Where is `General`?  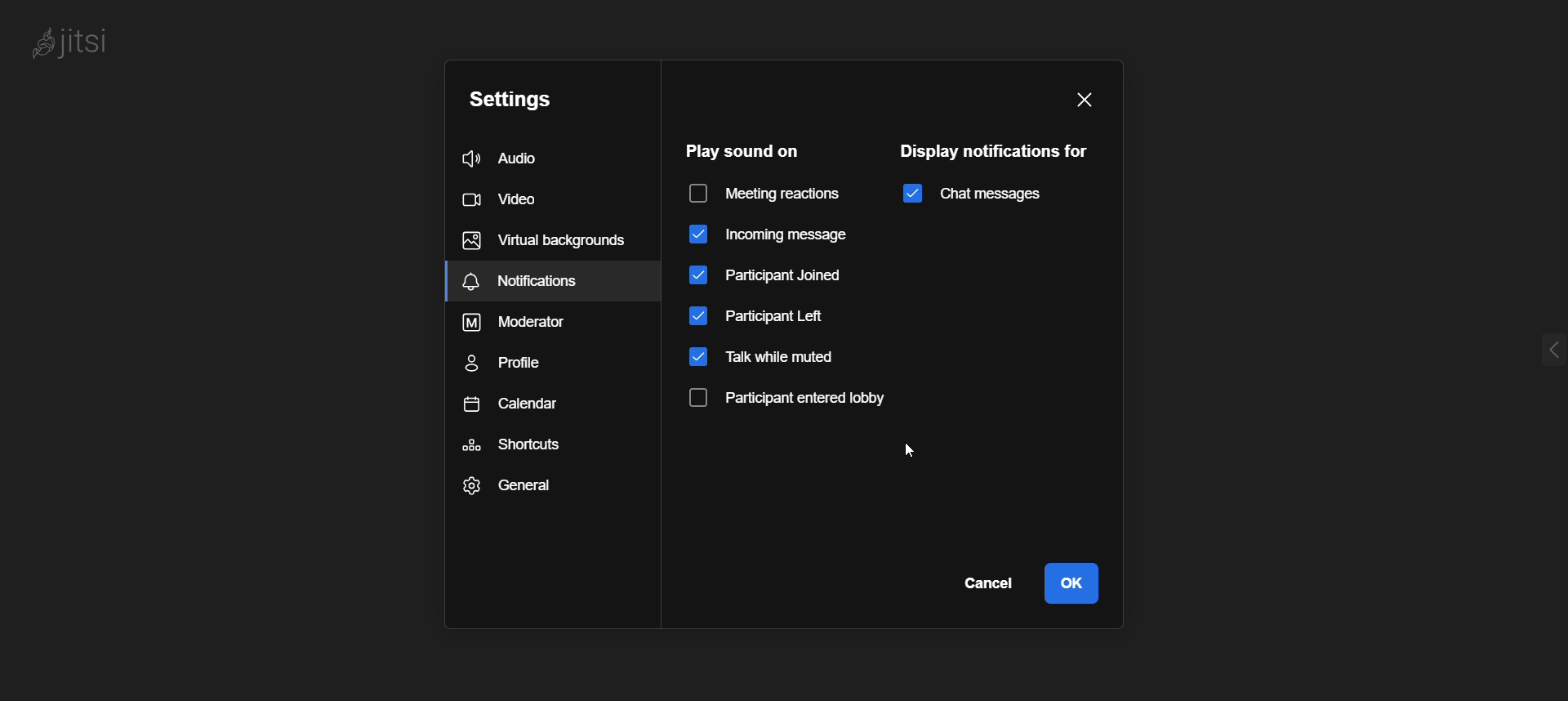 General is located at coordinates (511, 484).